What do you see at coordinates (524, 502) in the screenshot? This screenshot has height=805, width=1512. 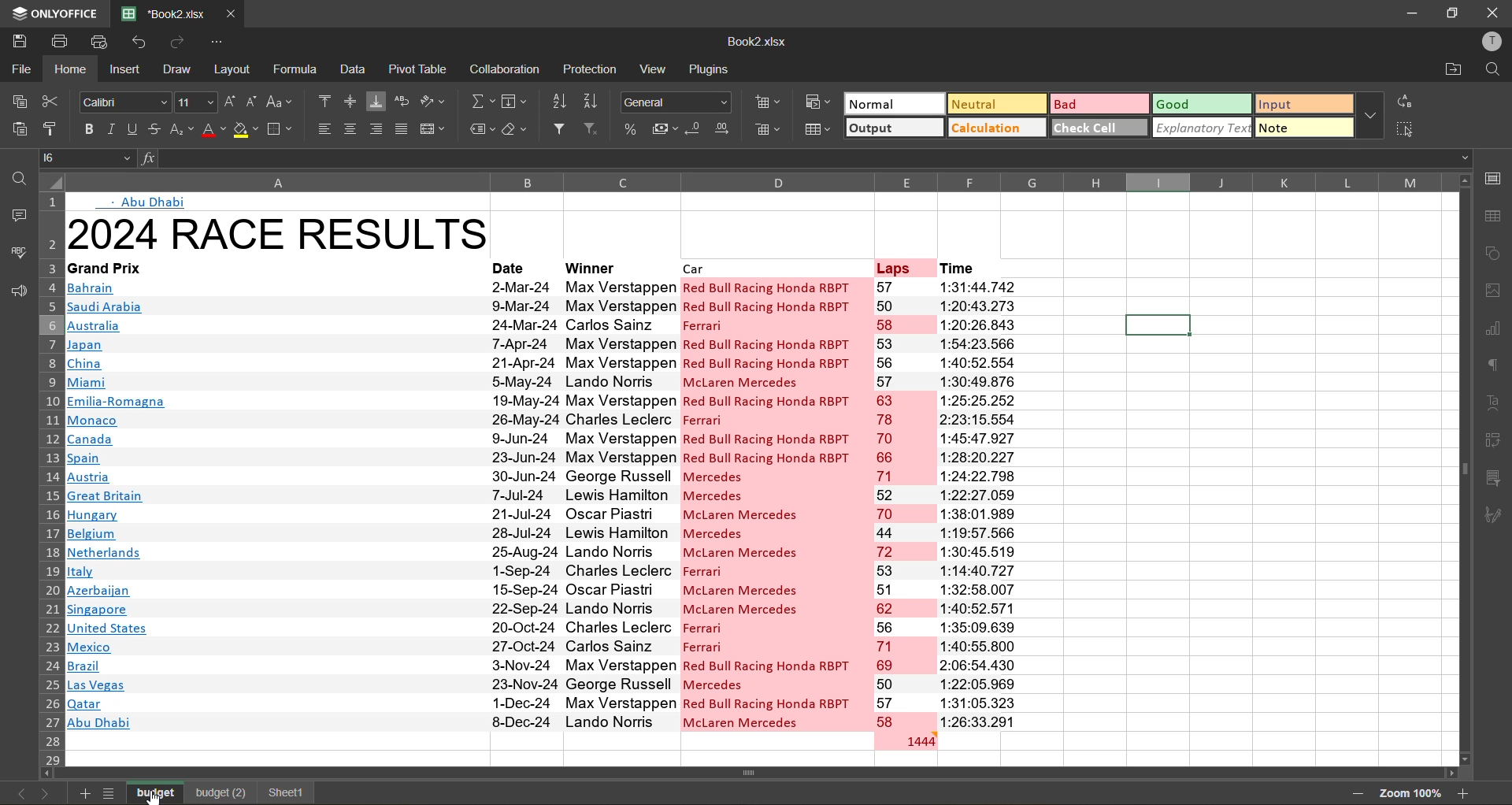 I see `date` at bounding box center [524, 502].